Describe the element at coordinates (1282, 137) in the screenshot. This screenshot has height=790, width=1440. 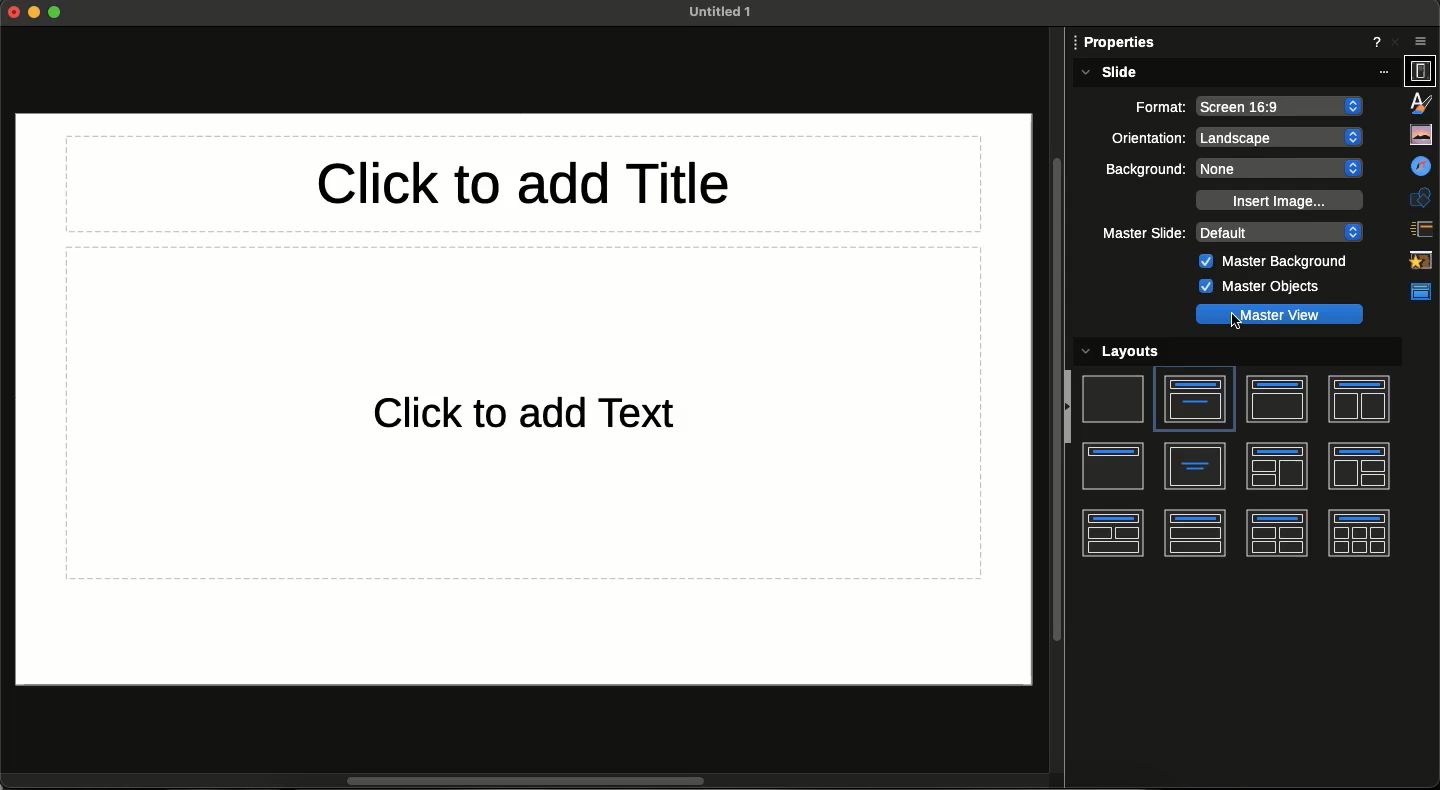
I see `Landscape` at that location.